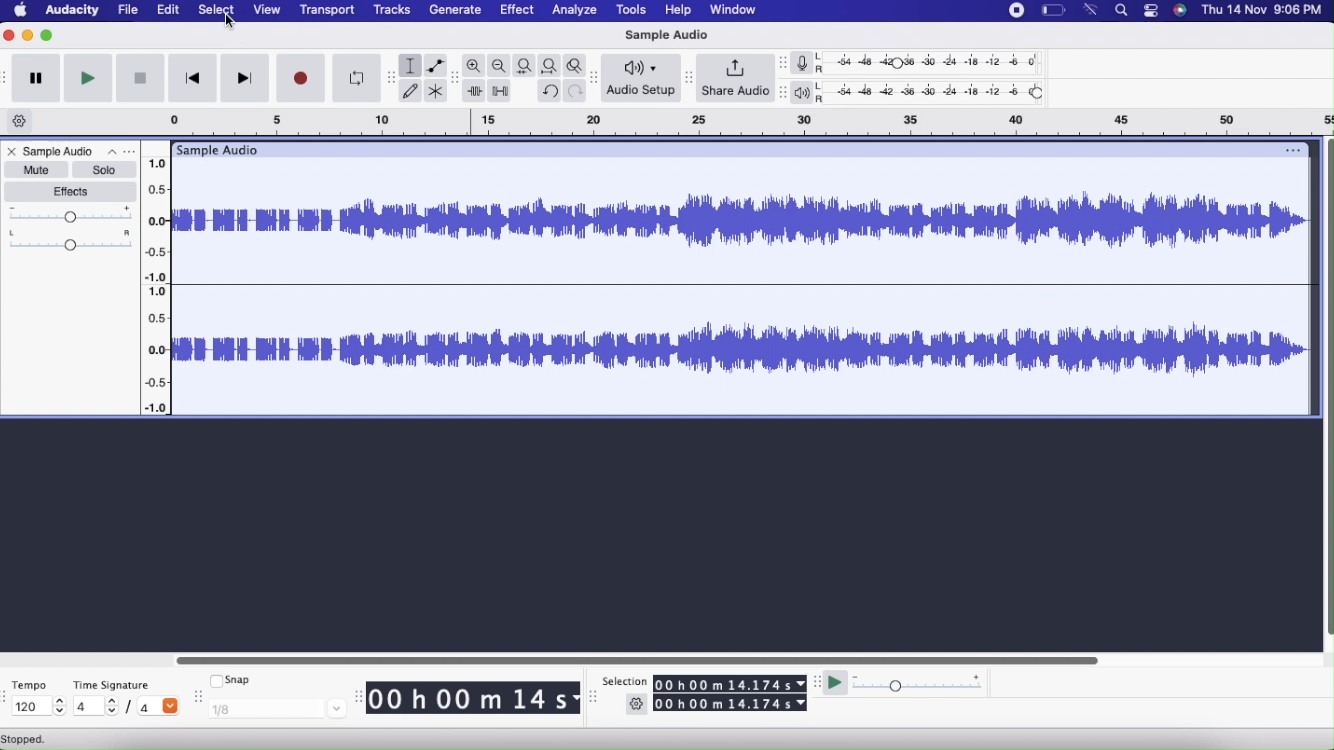  What do you see at coordinates (806, 92) in the screenshot?
I see `Playback meter` at bounding box center [806, 92].